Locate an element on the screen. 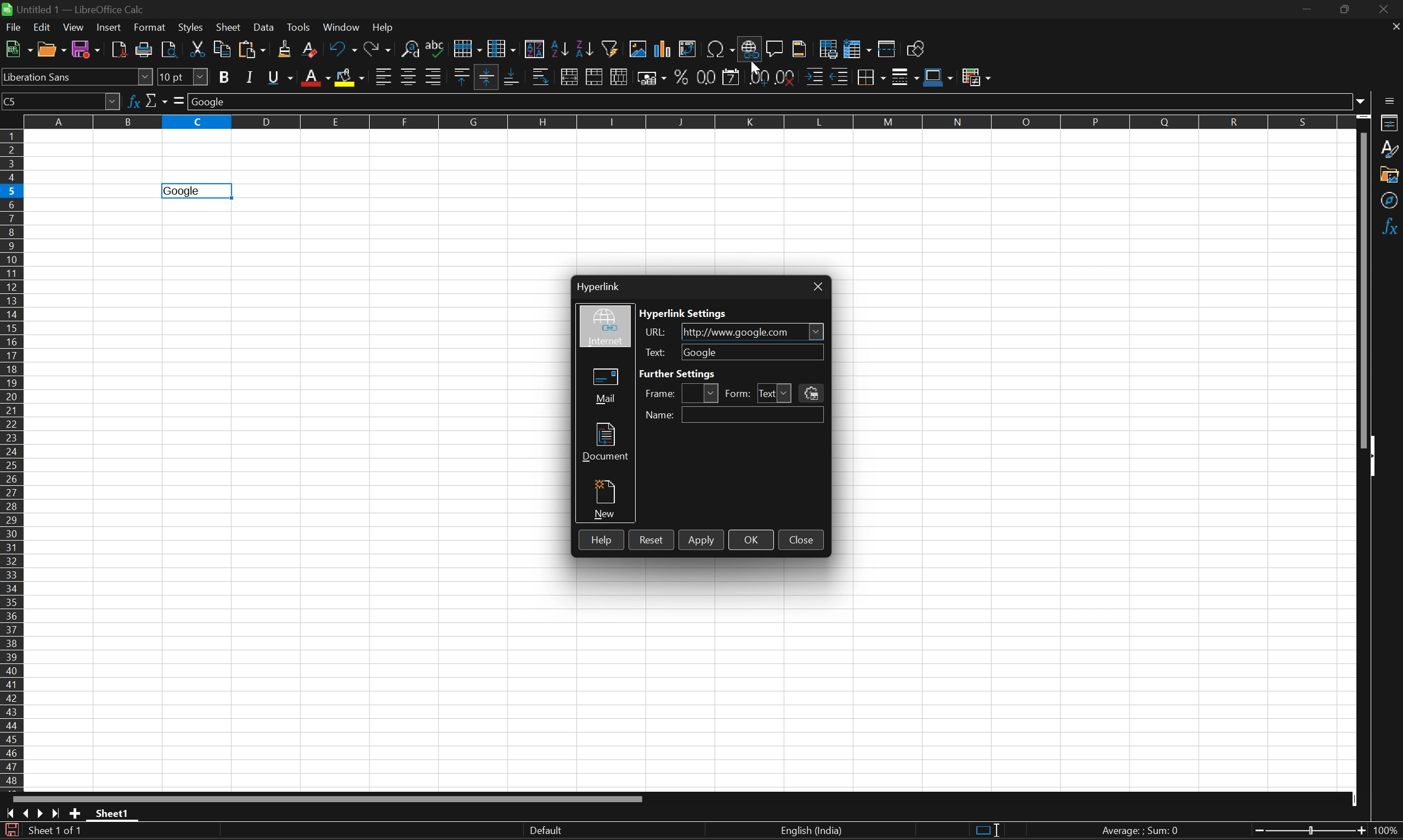 The height and width of the screenshot is (840, 1403). Average: ; Sum: 0 is located at coordinates (1143, 832).